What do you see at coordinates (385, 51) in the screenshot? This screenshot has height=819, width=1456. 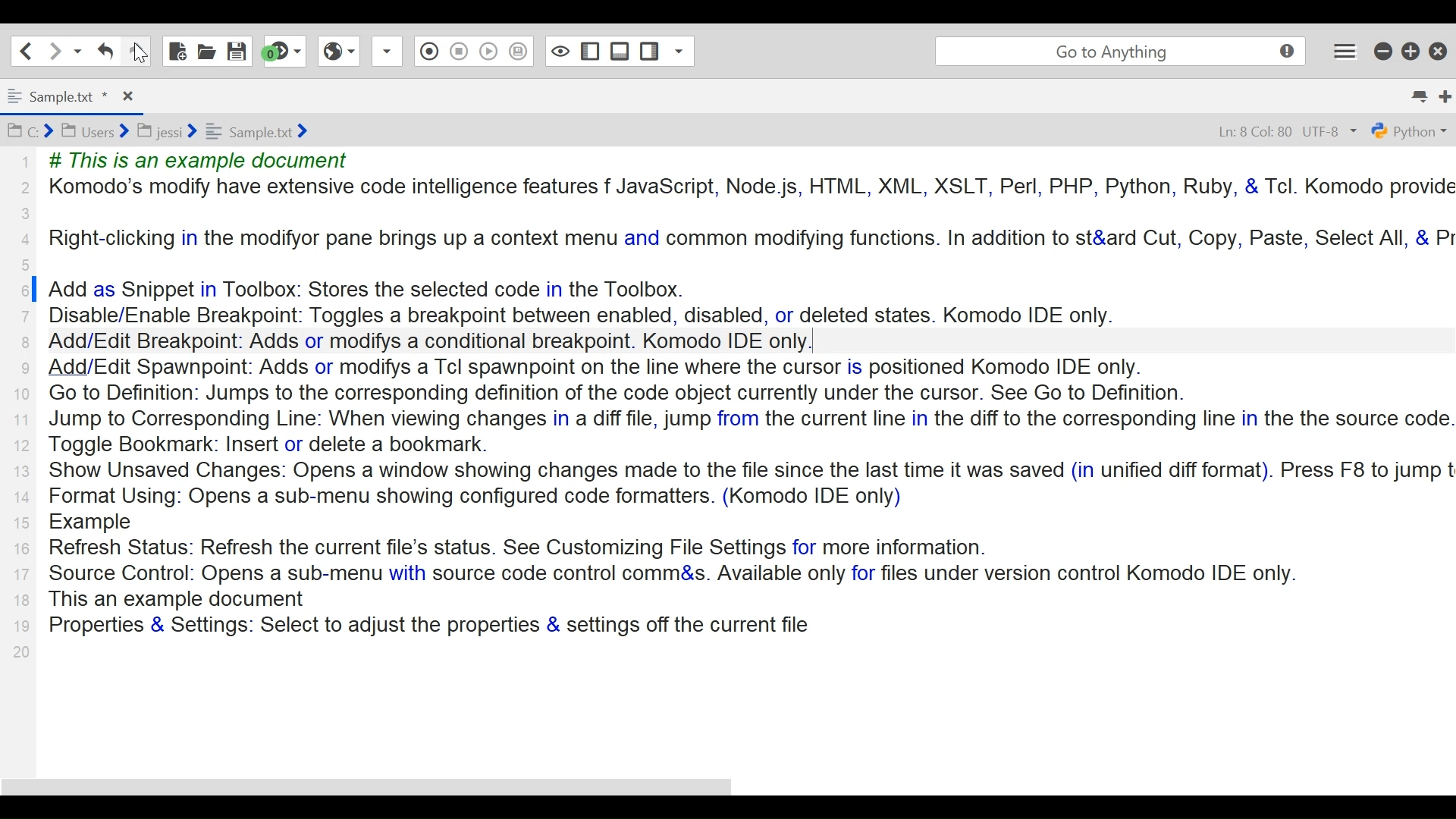 I see `Share File` at bounding box center [385, 51].